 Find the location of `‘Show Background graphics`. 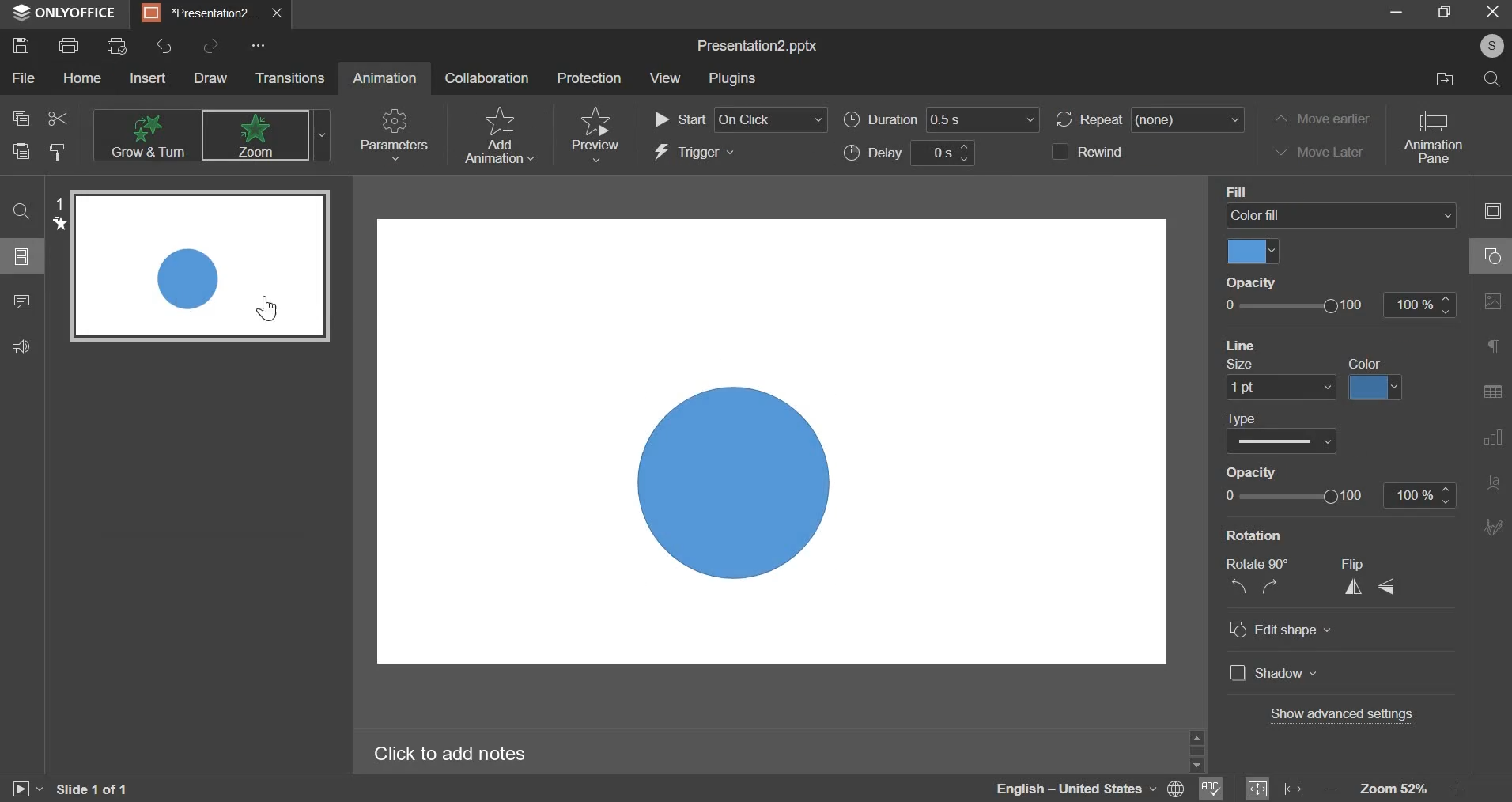

‘Show Background graphics is located at coordinates (1303, 533).